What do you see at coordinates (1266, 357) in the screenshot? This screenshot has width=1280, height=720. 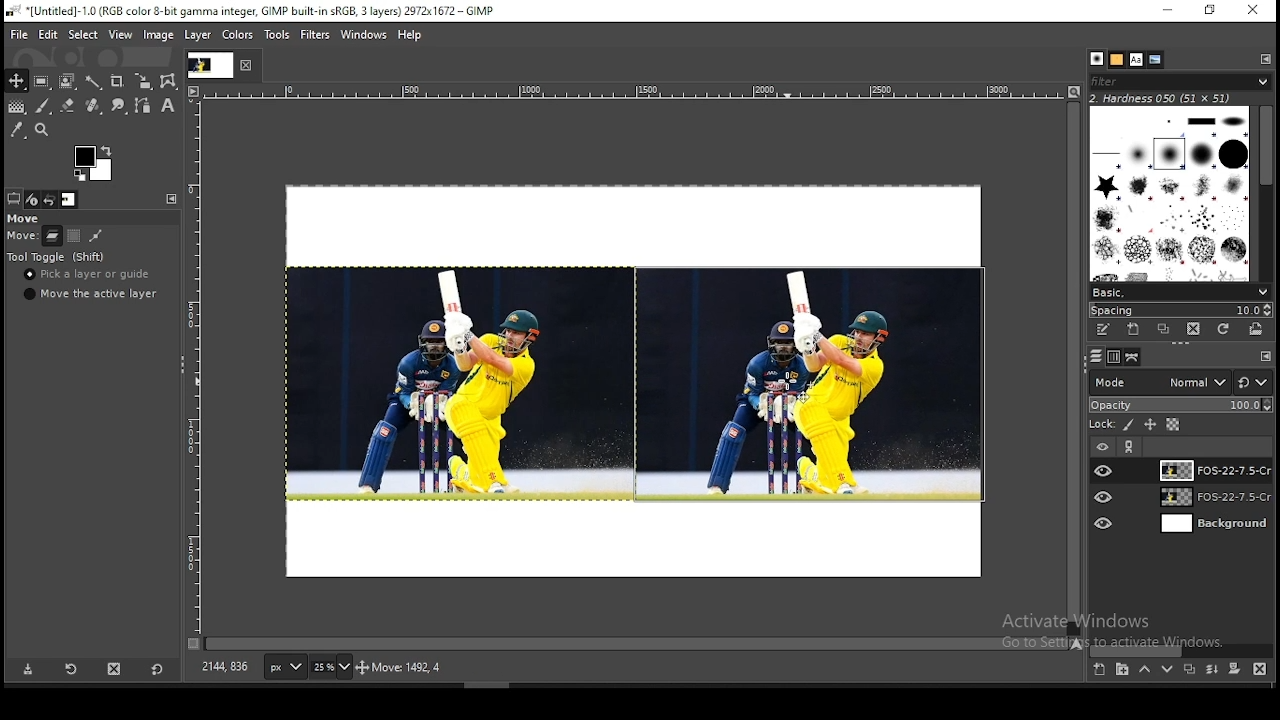 I see `tool` at bounding box center [1266, 357].